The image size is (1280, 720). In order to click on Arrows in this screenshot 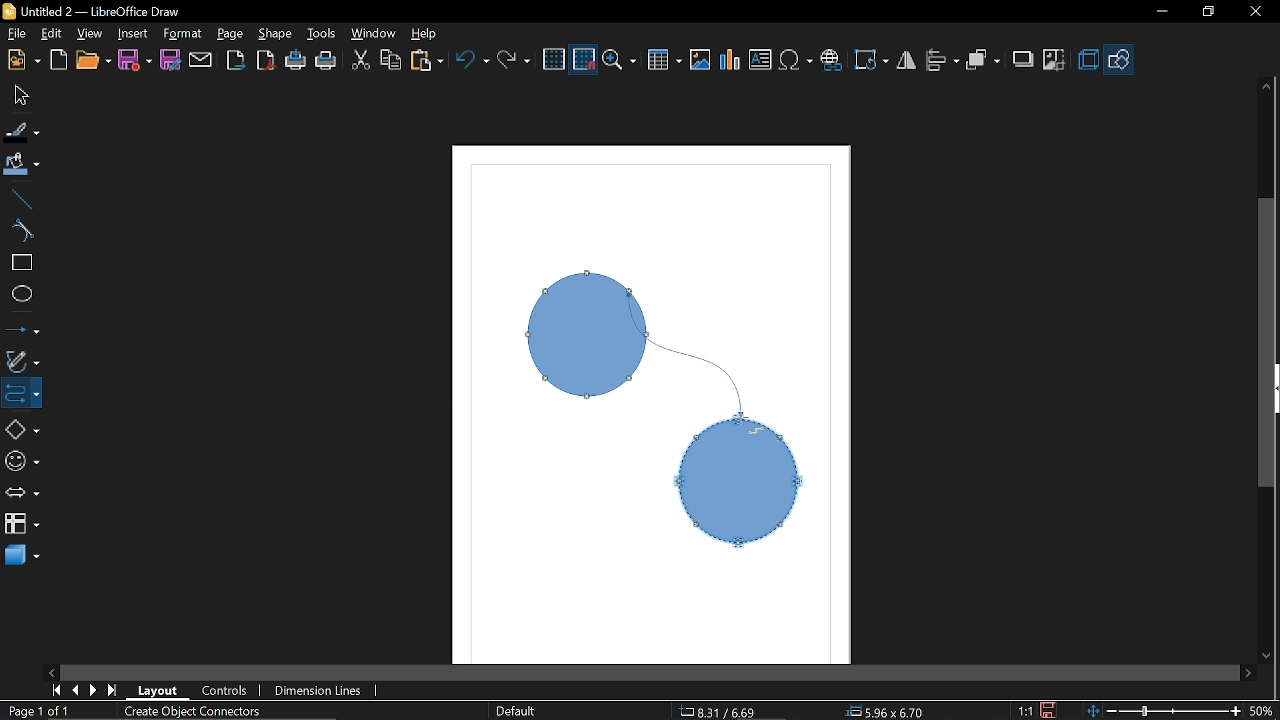, I will do `click(22, 495)`.